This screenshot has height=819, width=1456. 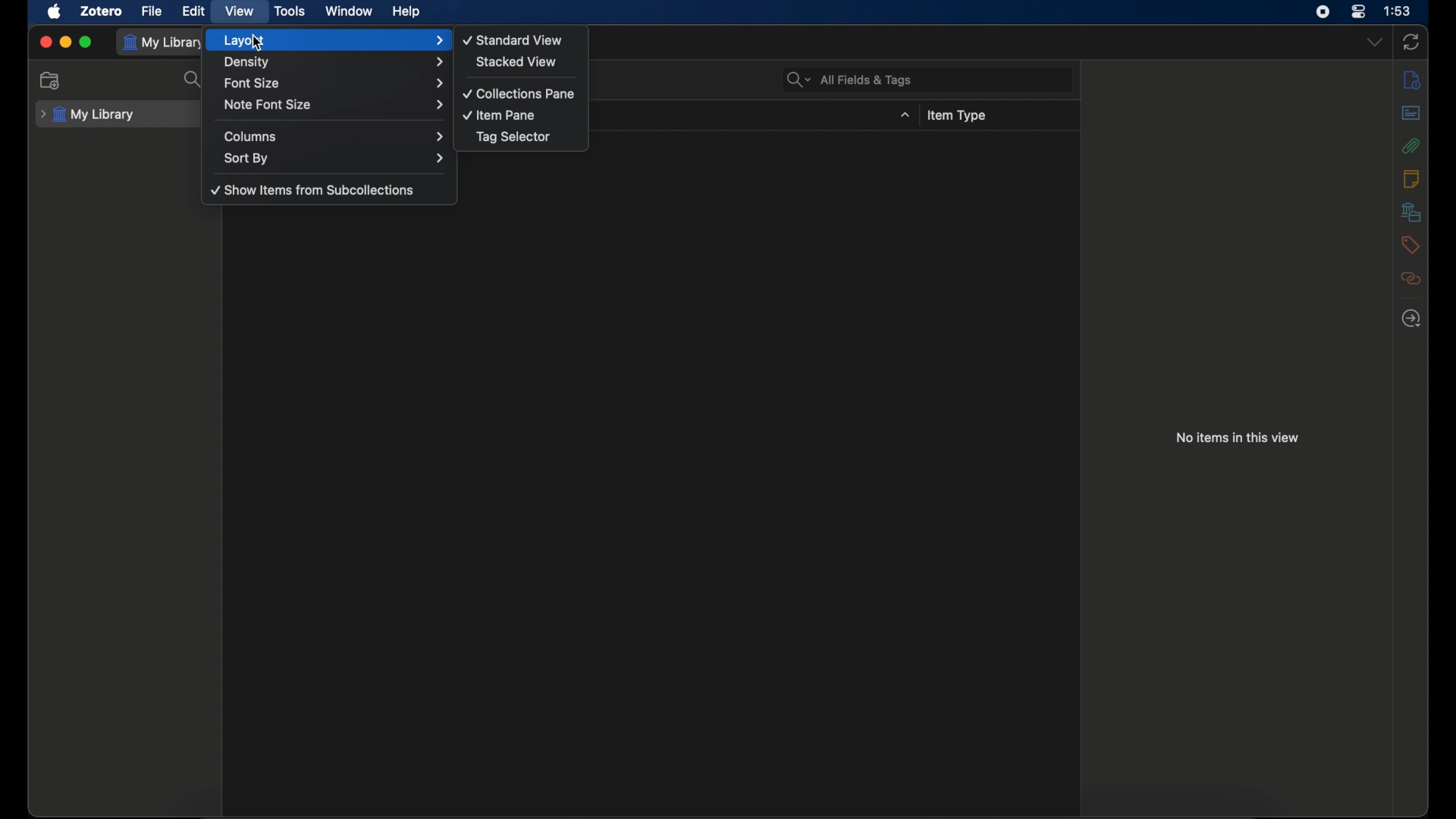 I want to click on locate, so click(x=1412, y=319).